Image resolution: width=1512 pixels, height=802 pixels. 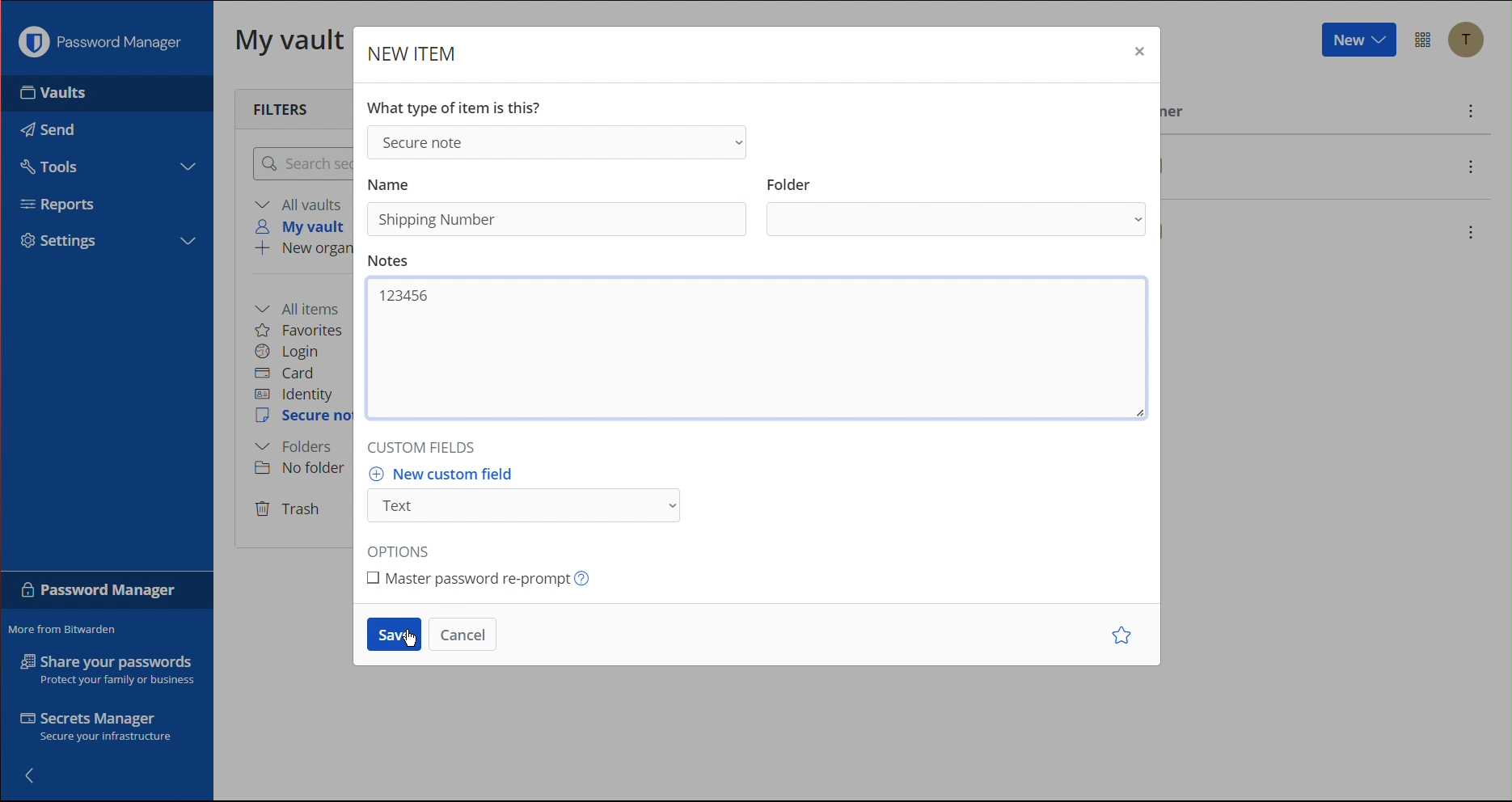 I want to click on Settings, so click(x=59, y=243).